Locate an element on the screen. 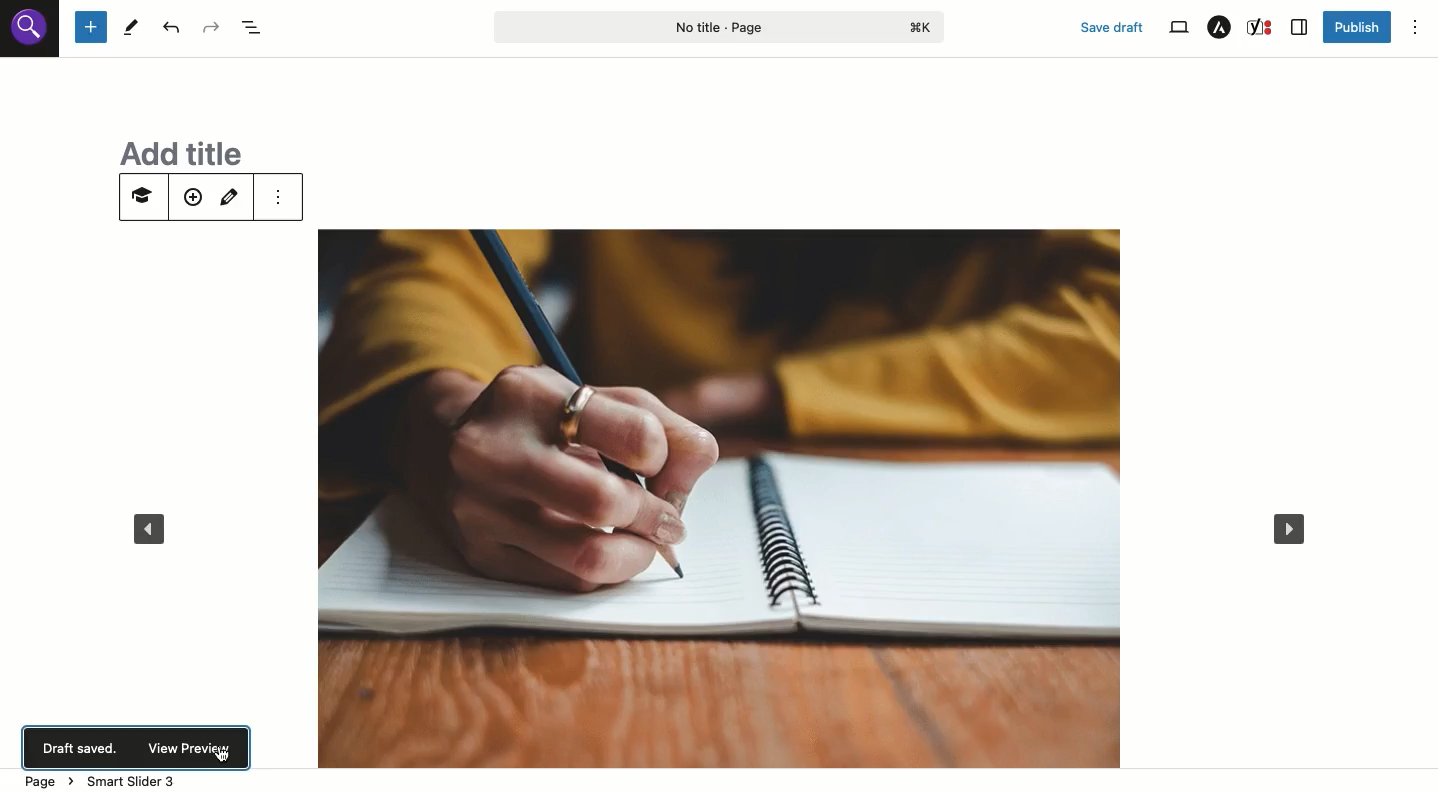 This screenshot has width=1438, height=792. Undo is located at coordinates (171, 27).